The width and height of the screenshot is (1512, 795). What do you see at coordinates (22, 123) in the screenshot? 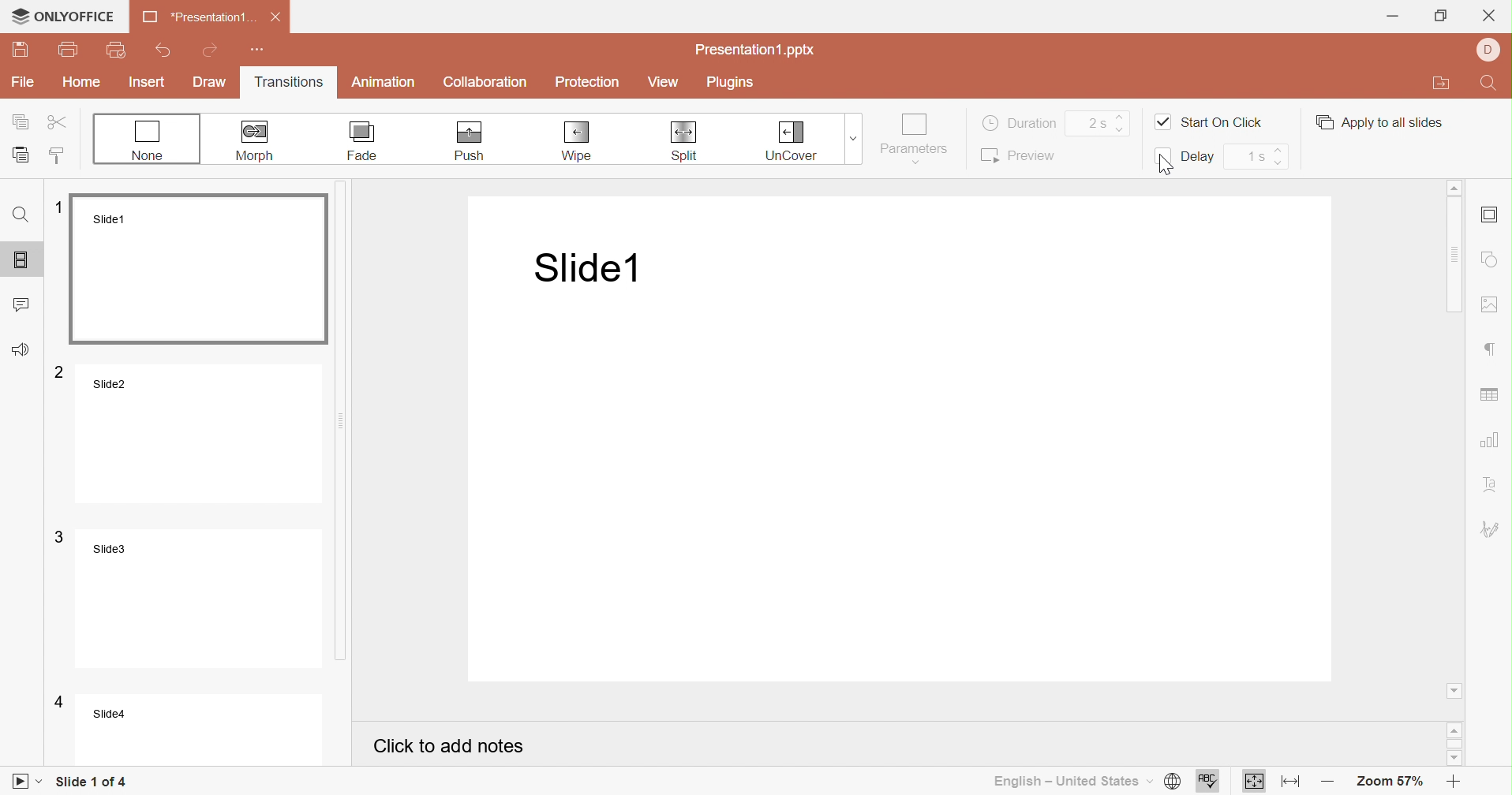
I see `Copy` at bounding box center [22, 123].